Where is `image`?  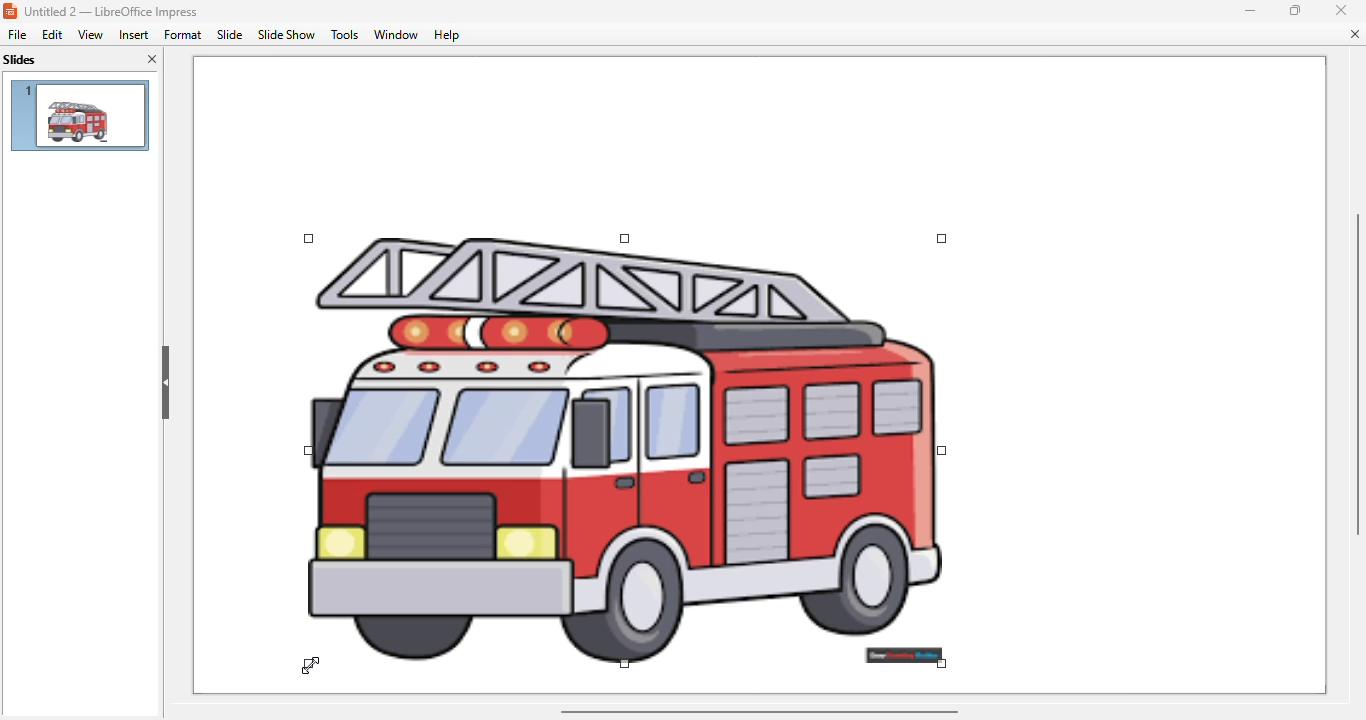 image is located at coordinates (626, 439).